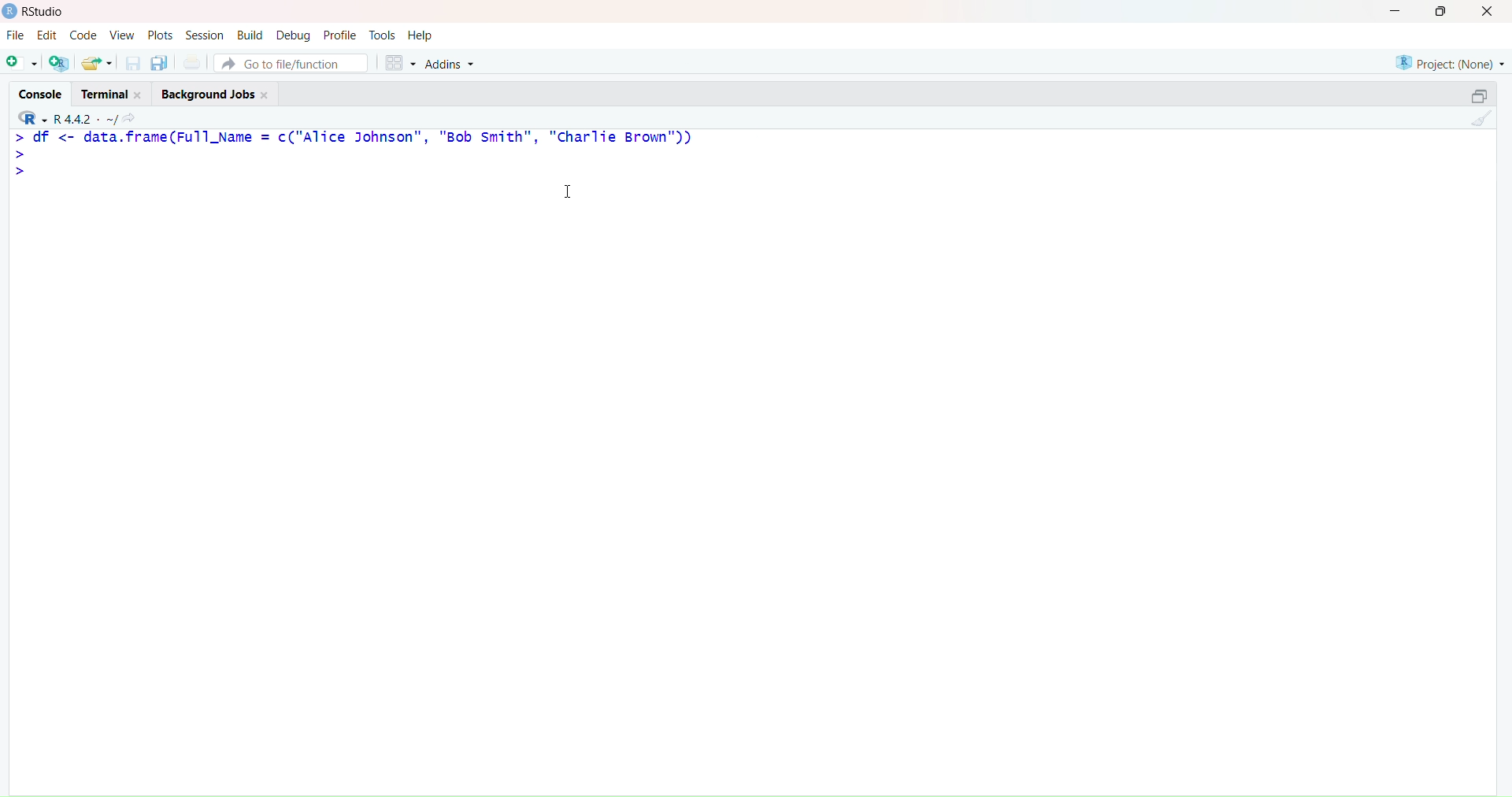  I want to click on File, so click(17, 36).